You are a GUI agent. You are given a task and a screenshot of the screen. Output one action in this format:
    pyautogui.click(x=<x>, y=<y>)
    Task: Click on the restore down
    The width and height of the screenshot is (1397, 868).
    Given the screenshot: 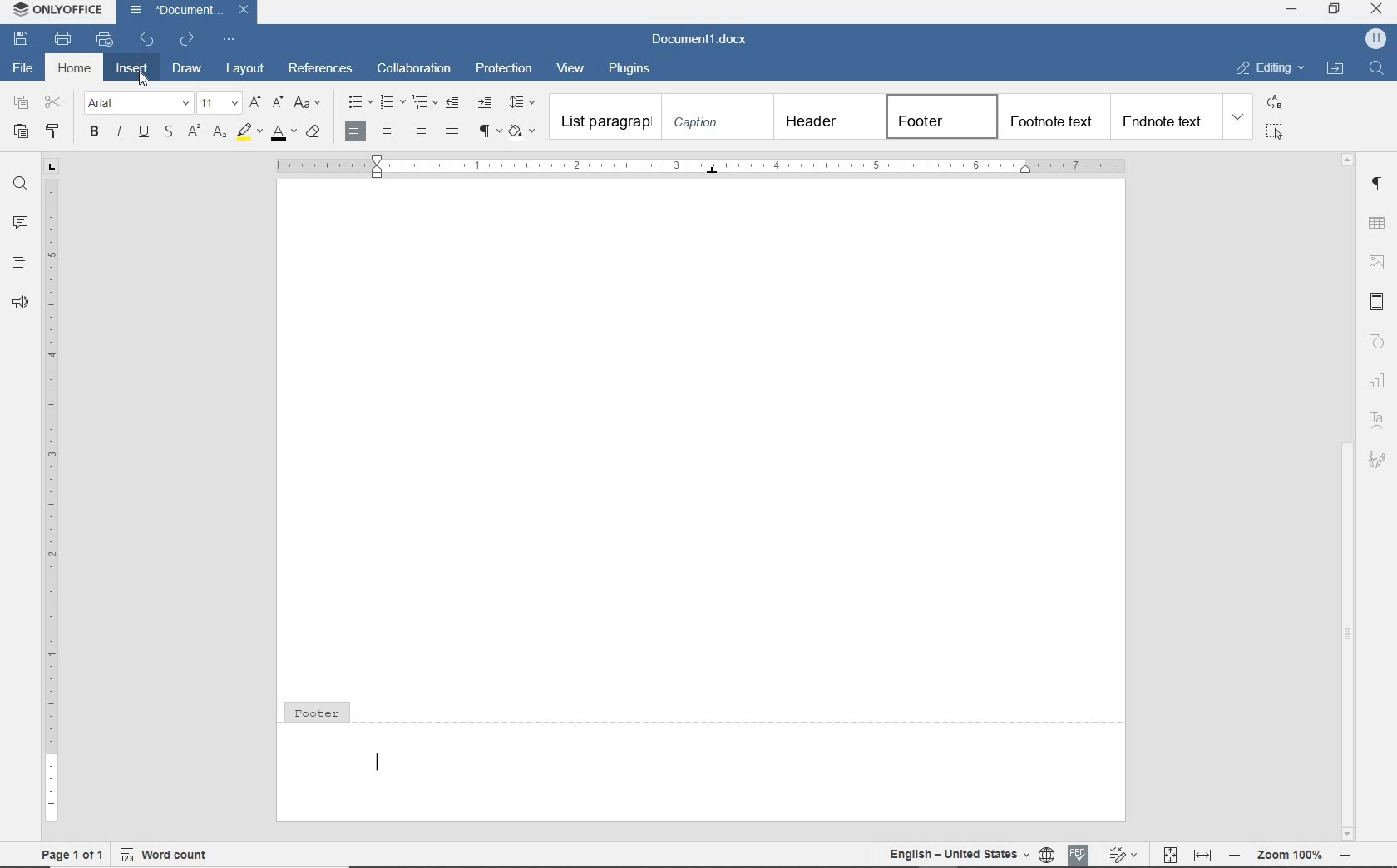 What is the action you would take?
    pyautogui.click(x=1335, y=11)
    